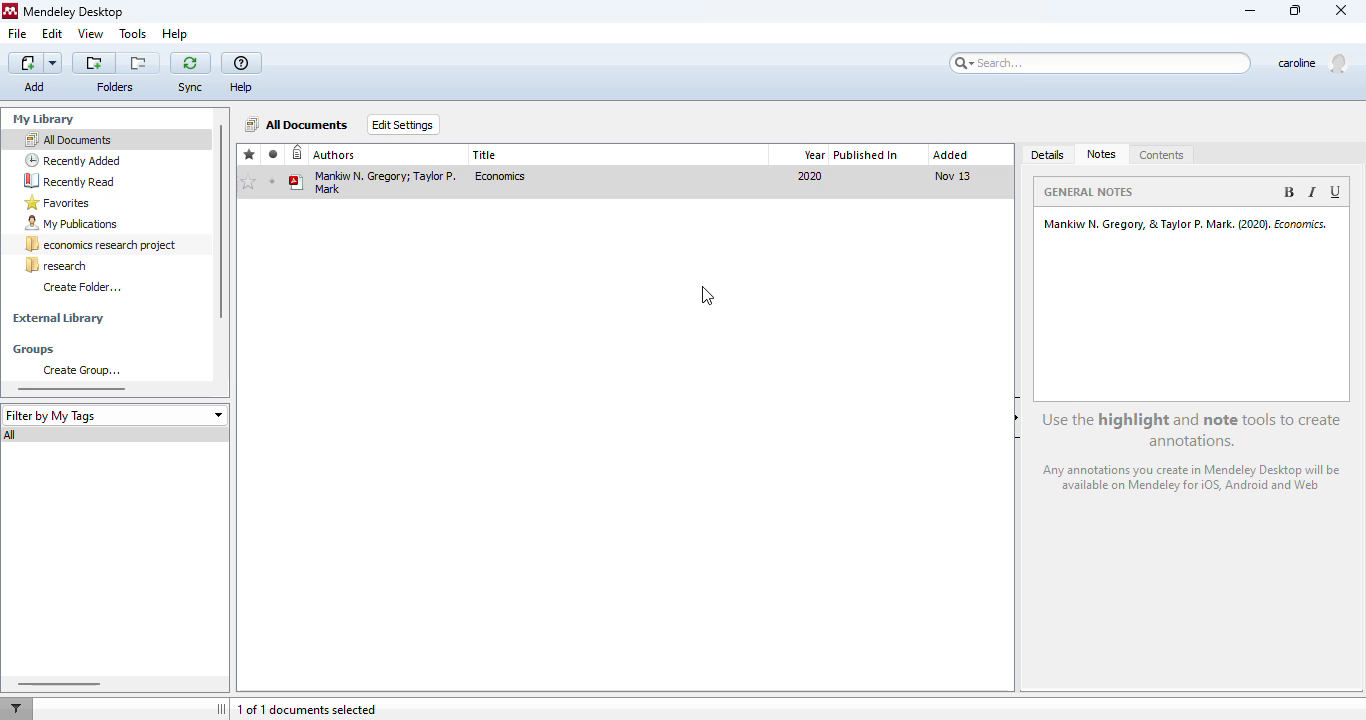 This screenshot has width=1366, height=720. Describe the element at coordinates (67, 139) in the screenshot. I see `all documents` at that location.